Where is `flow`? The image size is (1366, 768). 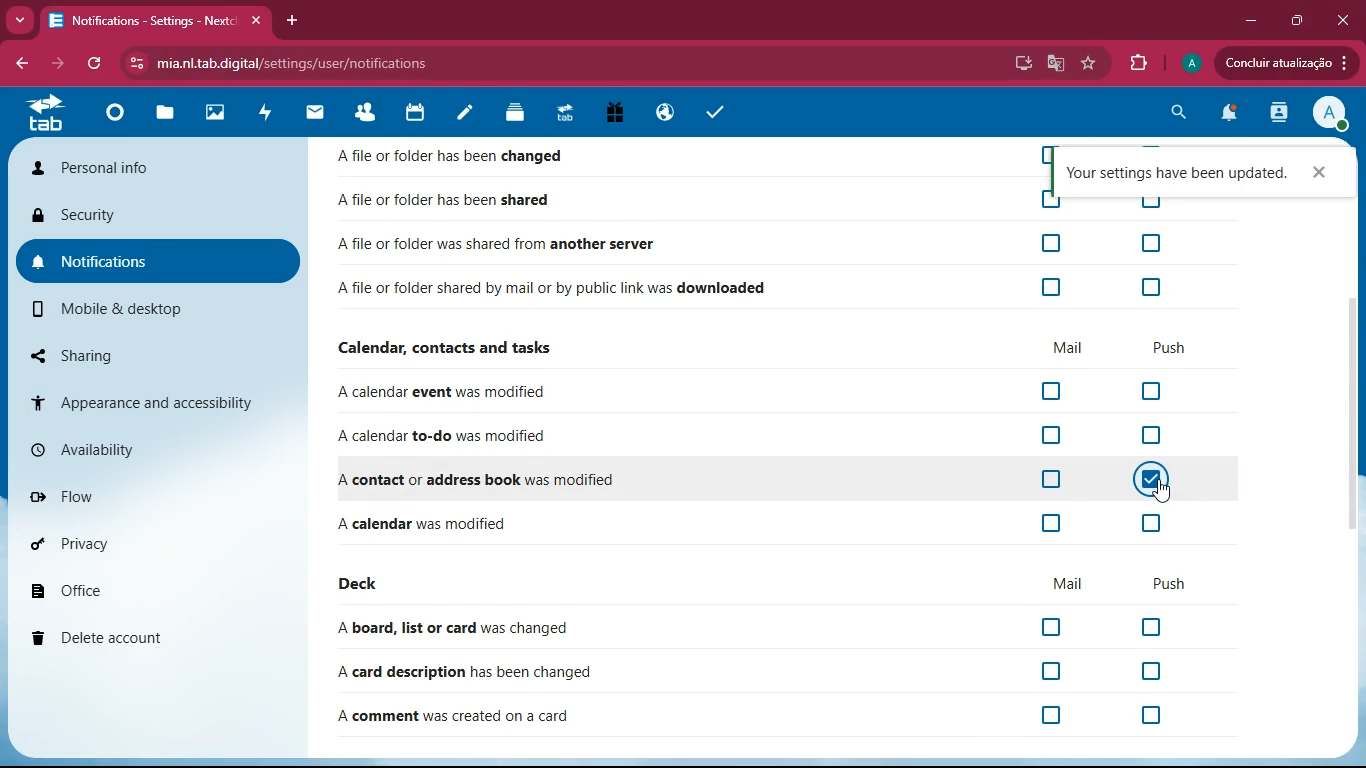
flow is located at coordinates (147, 499).